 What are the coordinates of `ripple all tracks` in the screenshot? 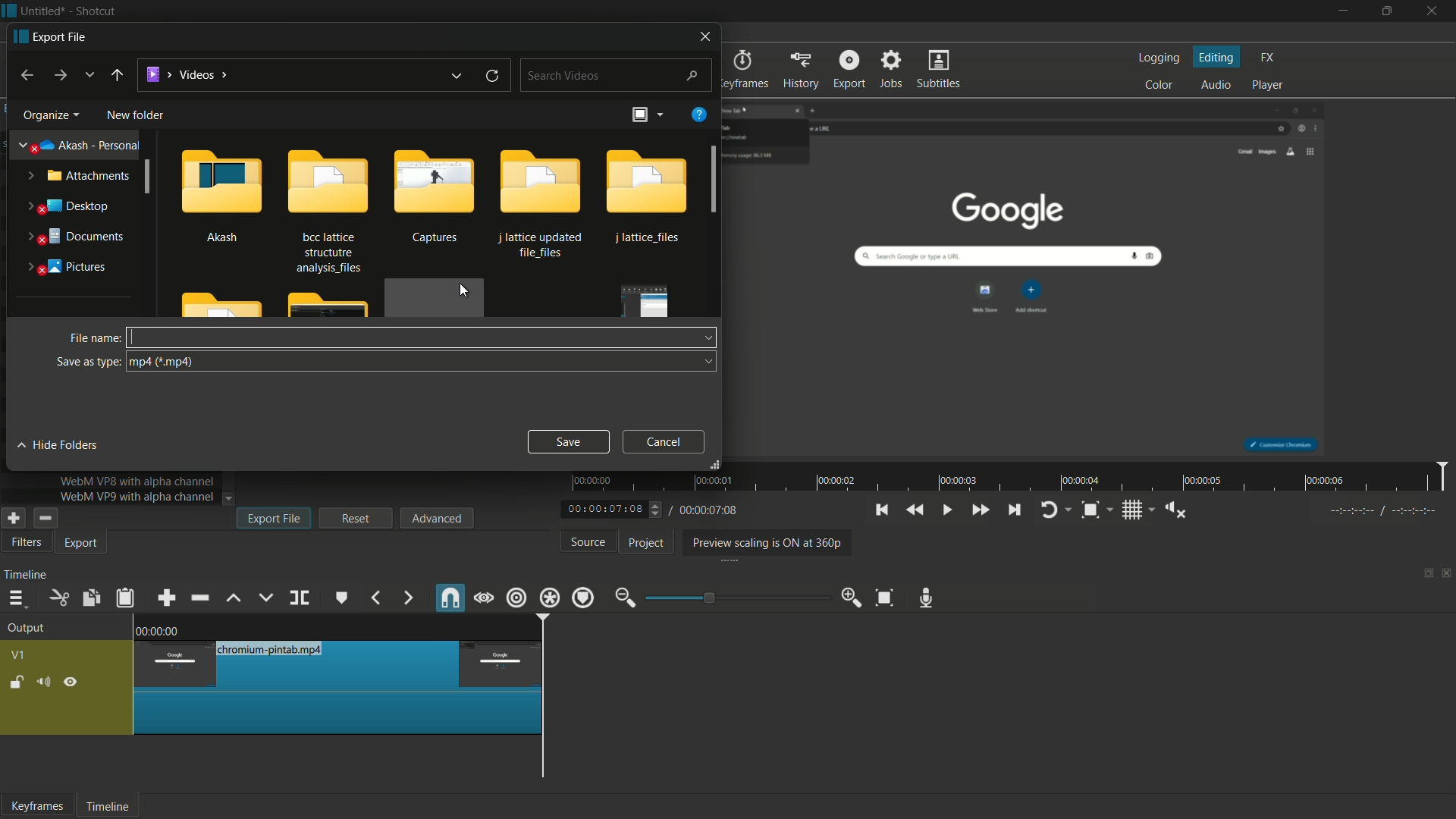 It's located at (548, 598).